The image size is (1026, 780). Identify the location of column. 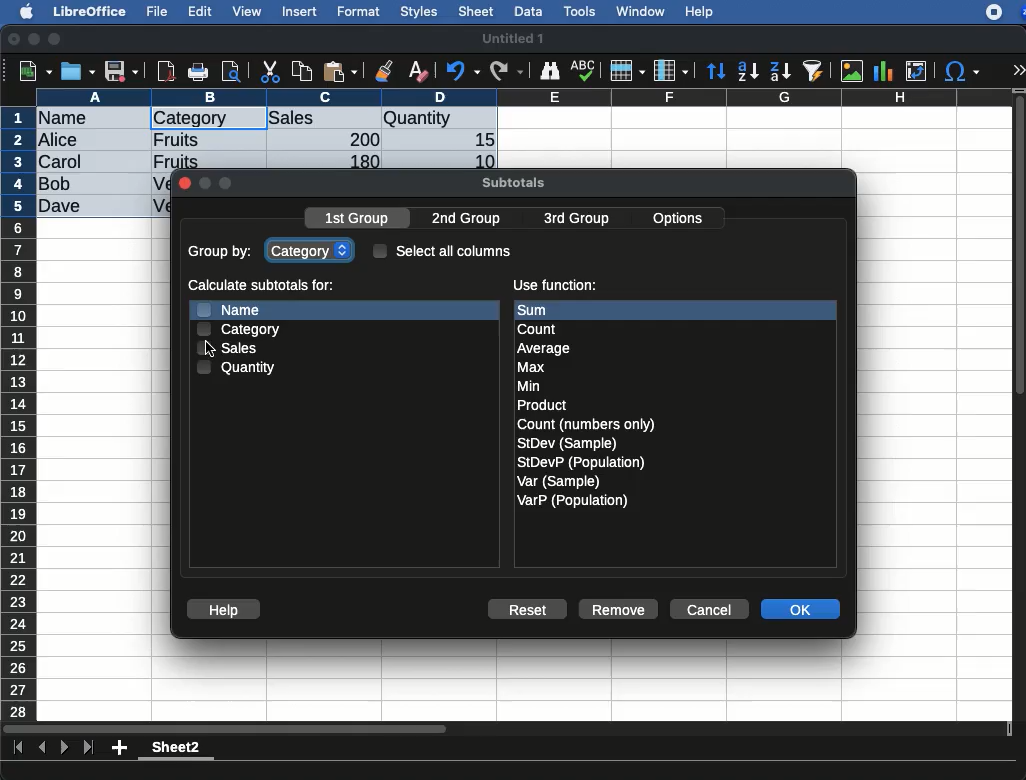
(525, 97).